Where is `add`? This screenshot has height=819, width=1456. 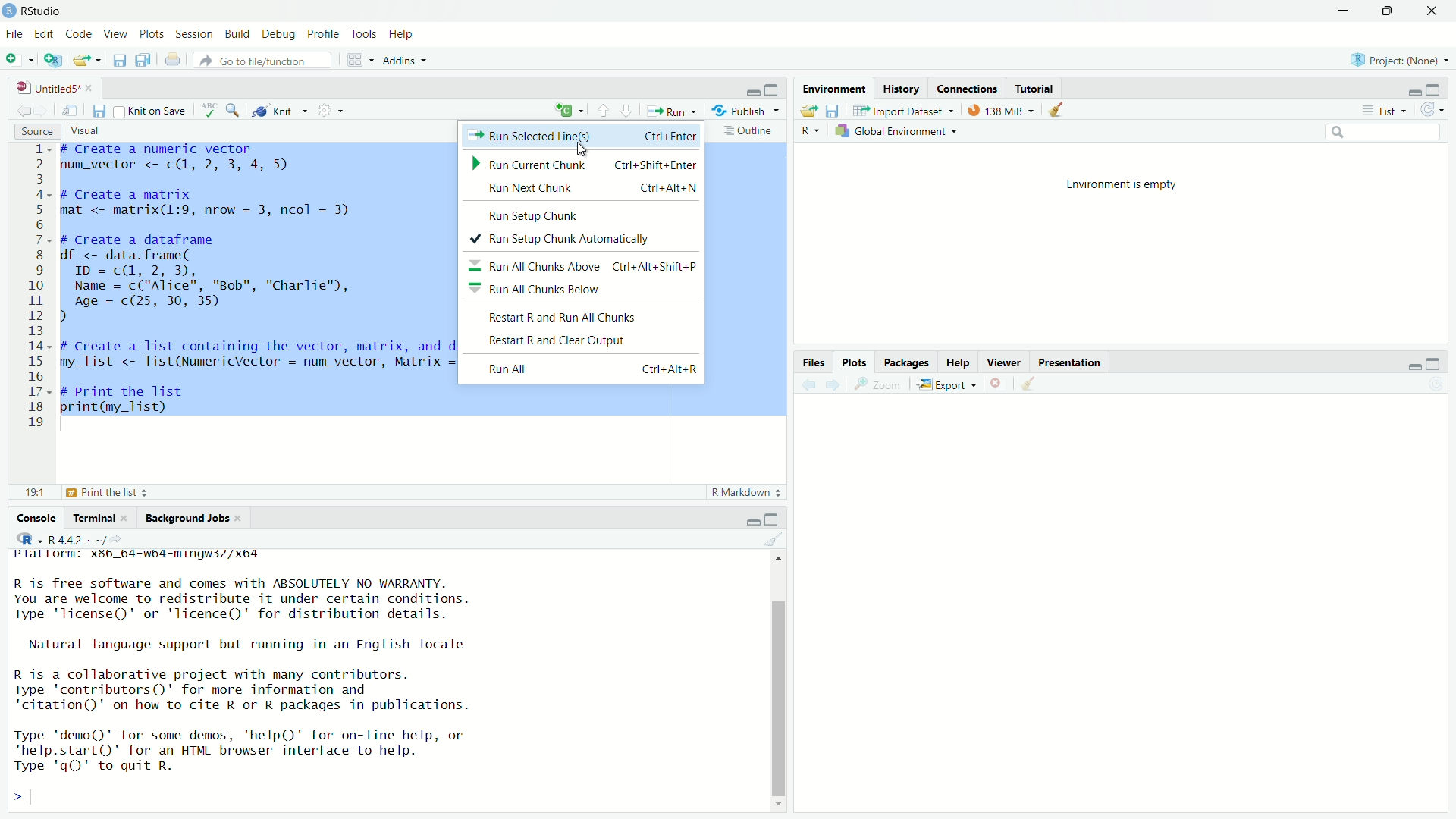 add is located at coordinates (20, 62).